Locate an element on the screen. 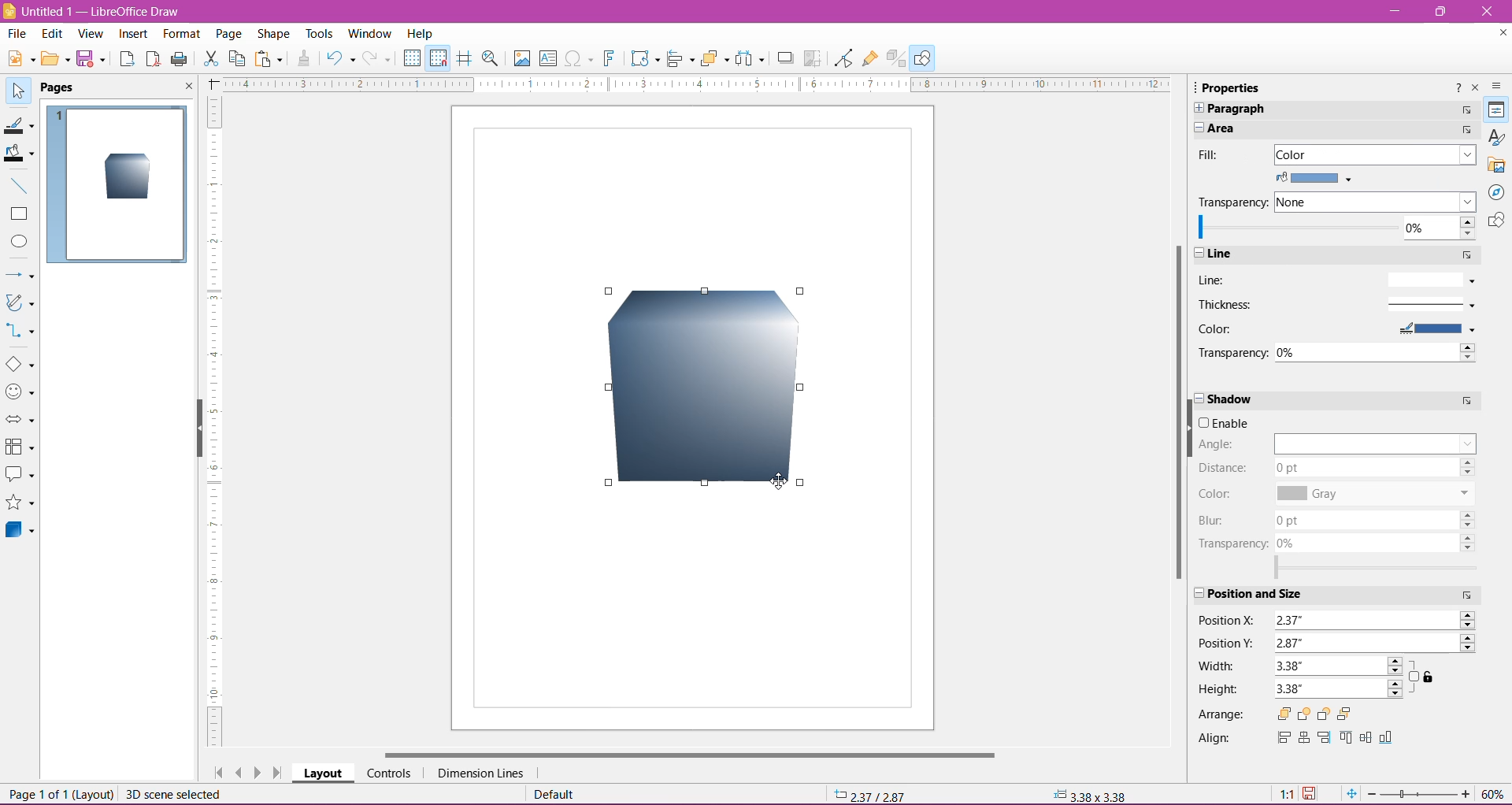  Position X is located at coordinates (1229, 619).